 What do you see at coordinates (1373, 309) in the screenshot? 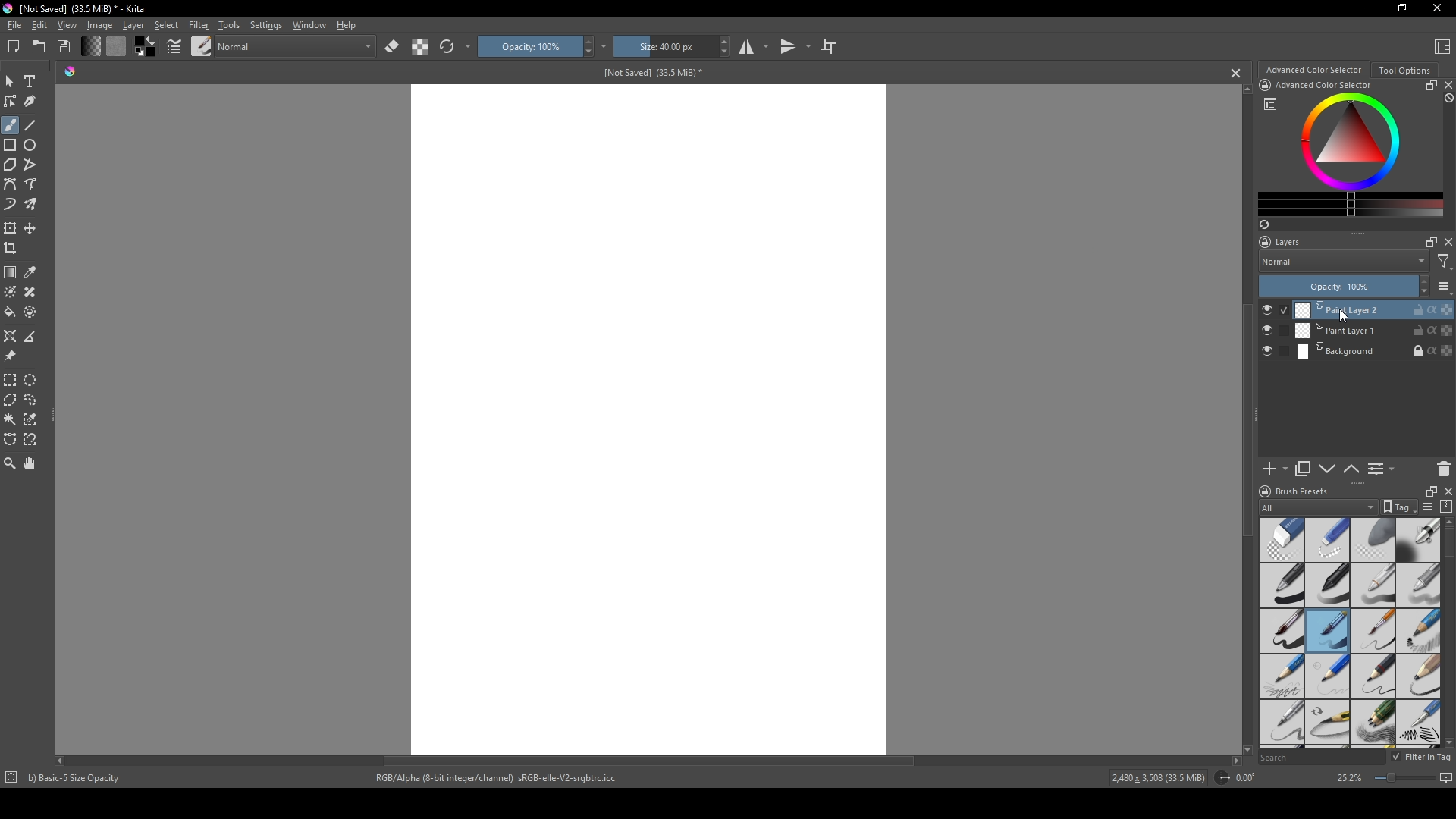
I see `Print Layer 2` at bounding box center [1373, 309].